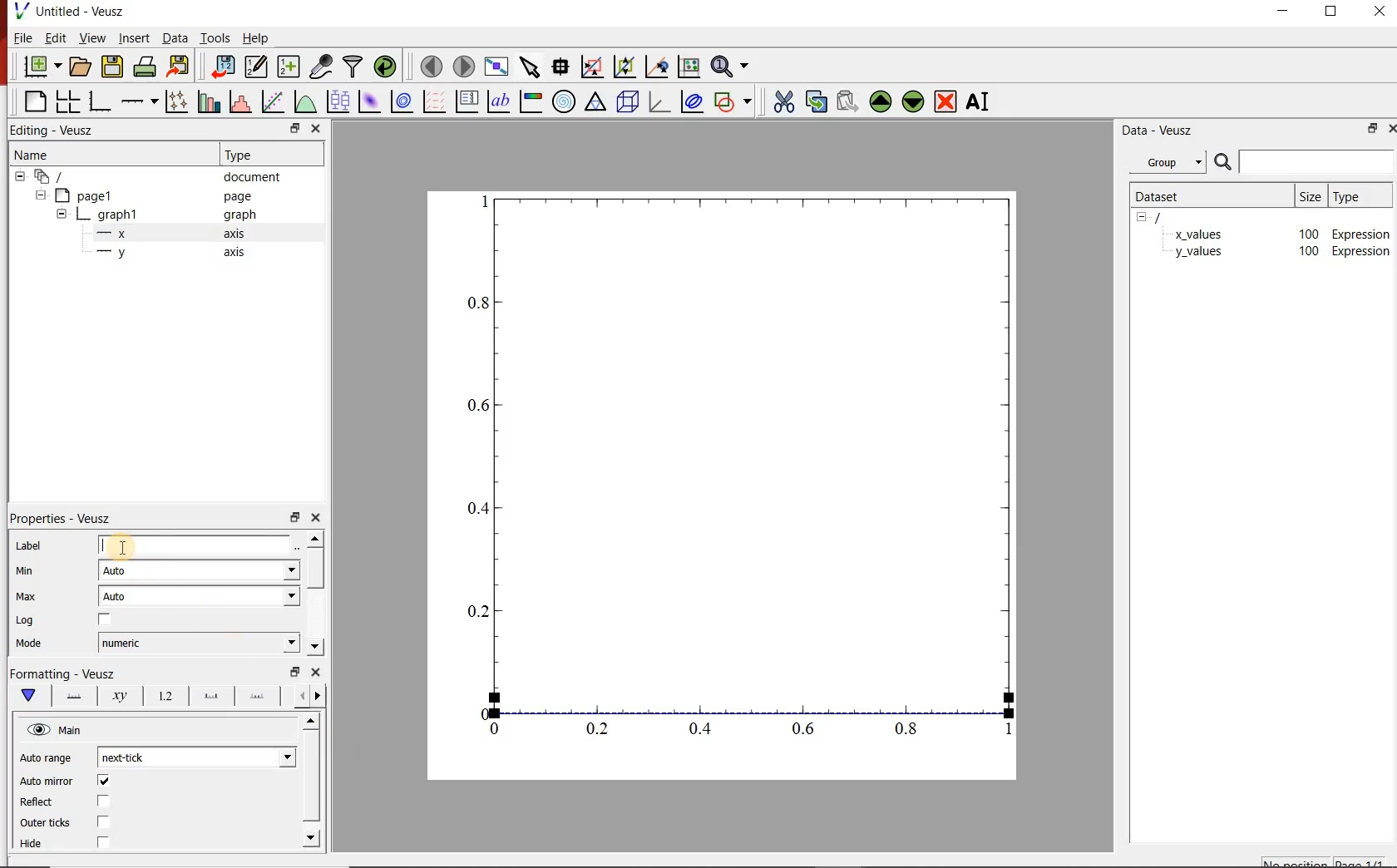  Describe the element at coordinates (57, 728) in the screenshot. I see `hide view` at that location.